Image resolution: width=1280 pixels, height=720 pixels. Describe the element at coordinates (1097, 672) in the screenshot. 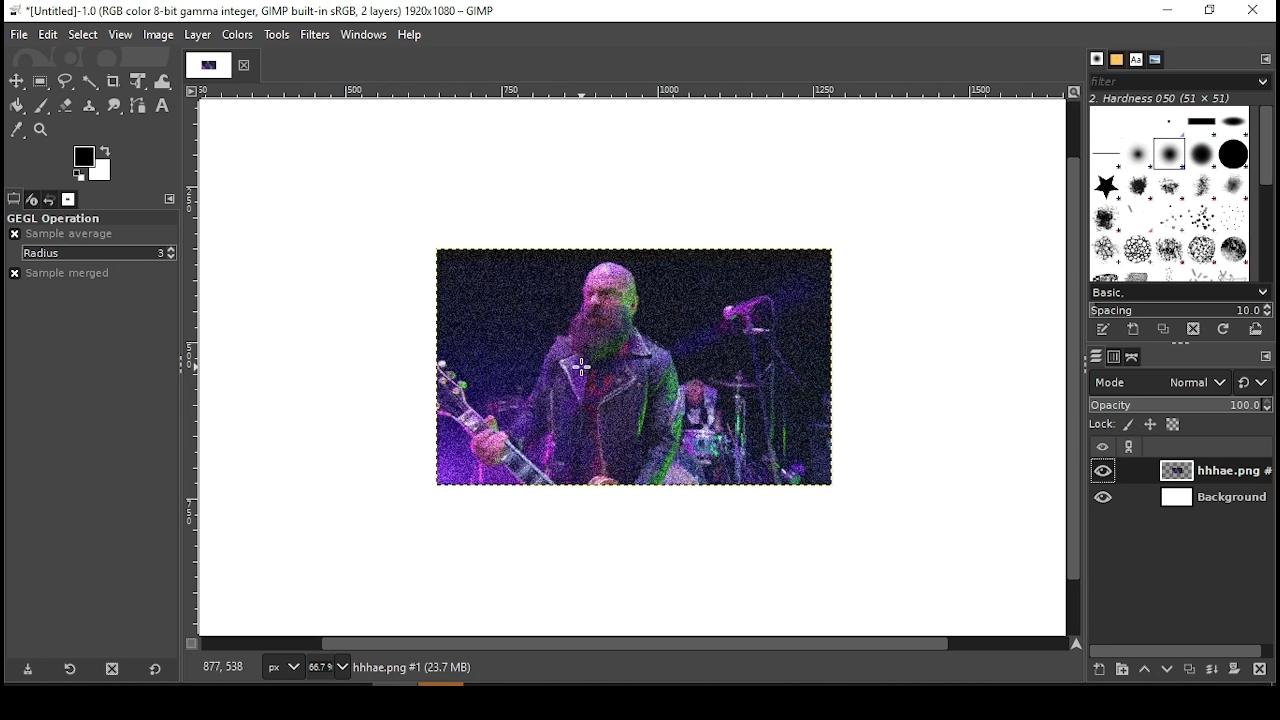

I see `new layer` at that location.